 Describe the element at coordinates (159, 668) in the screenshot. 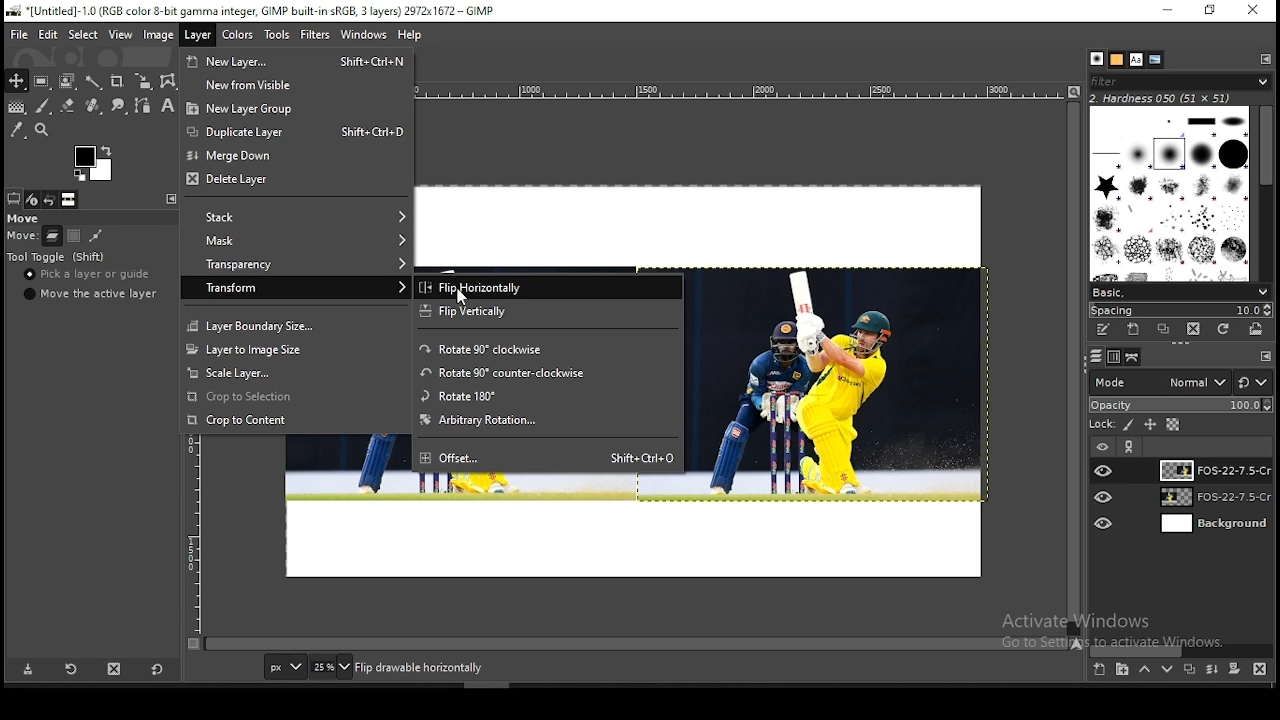

I see `restore to defaults` at that location.